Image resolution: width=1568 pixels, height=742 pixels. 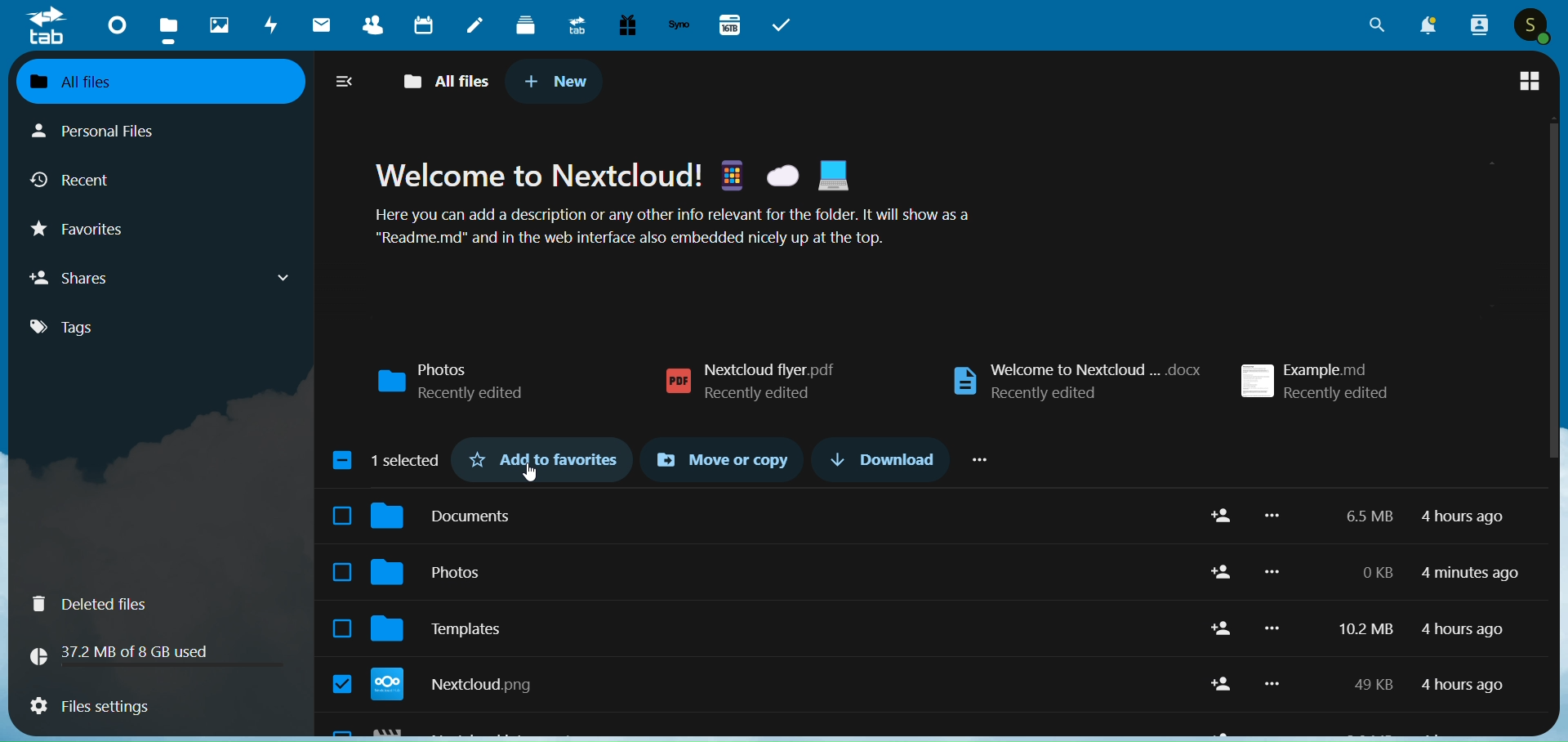 I want to click on calendar, so click(x=422, y=25).